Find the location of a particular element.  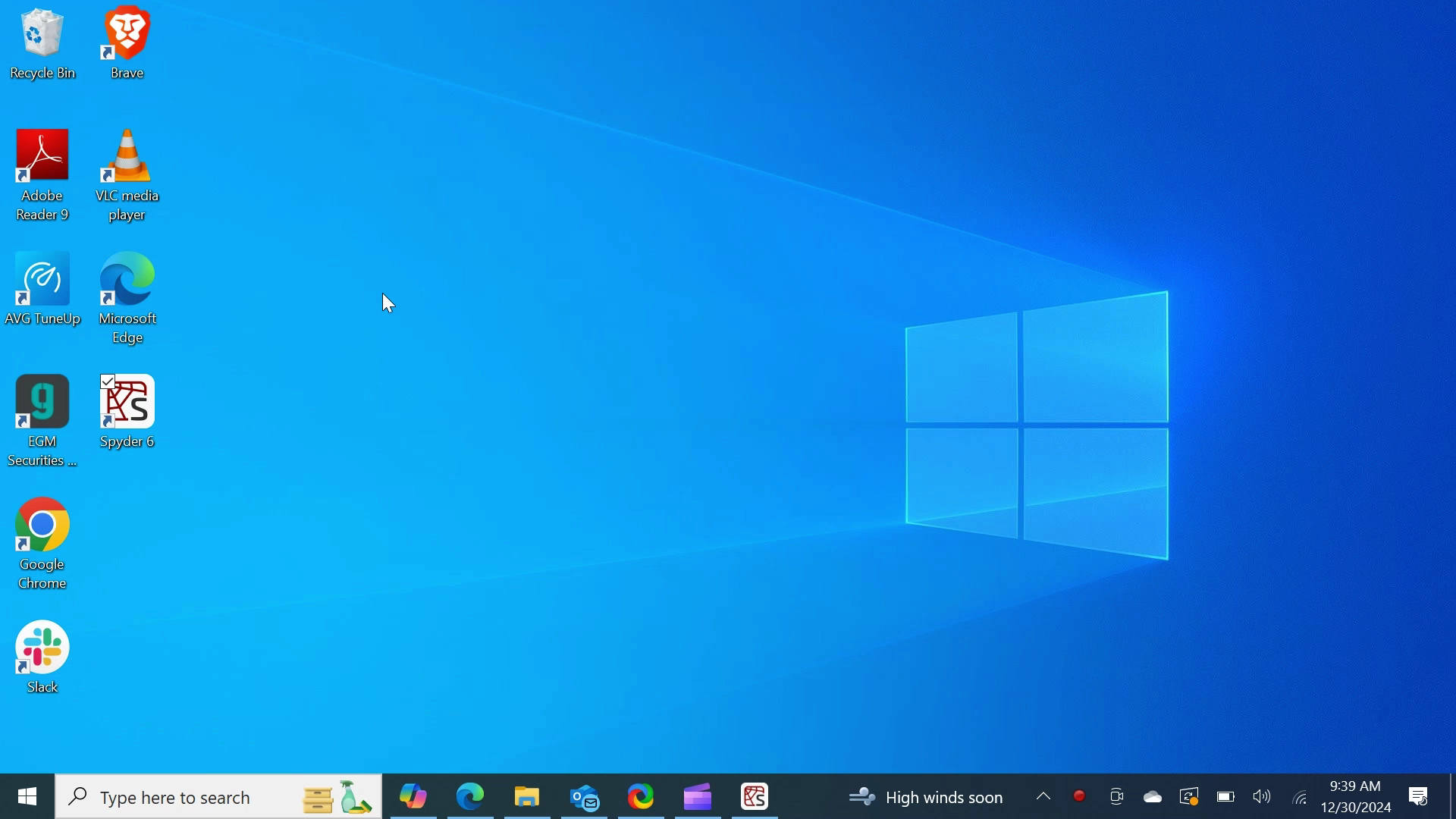

VLC Media Desktop Icon is located at coordinates (129, 178).